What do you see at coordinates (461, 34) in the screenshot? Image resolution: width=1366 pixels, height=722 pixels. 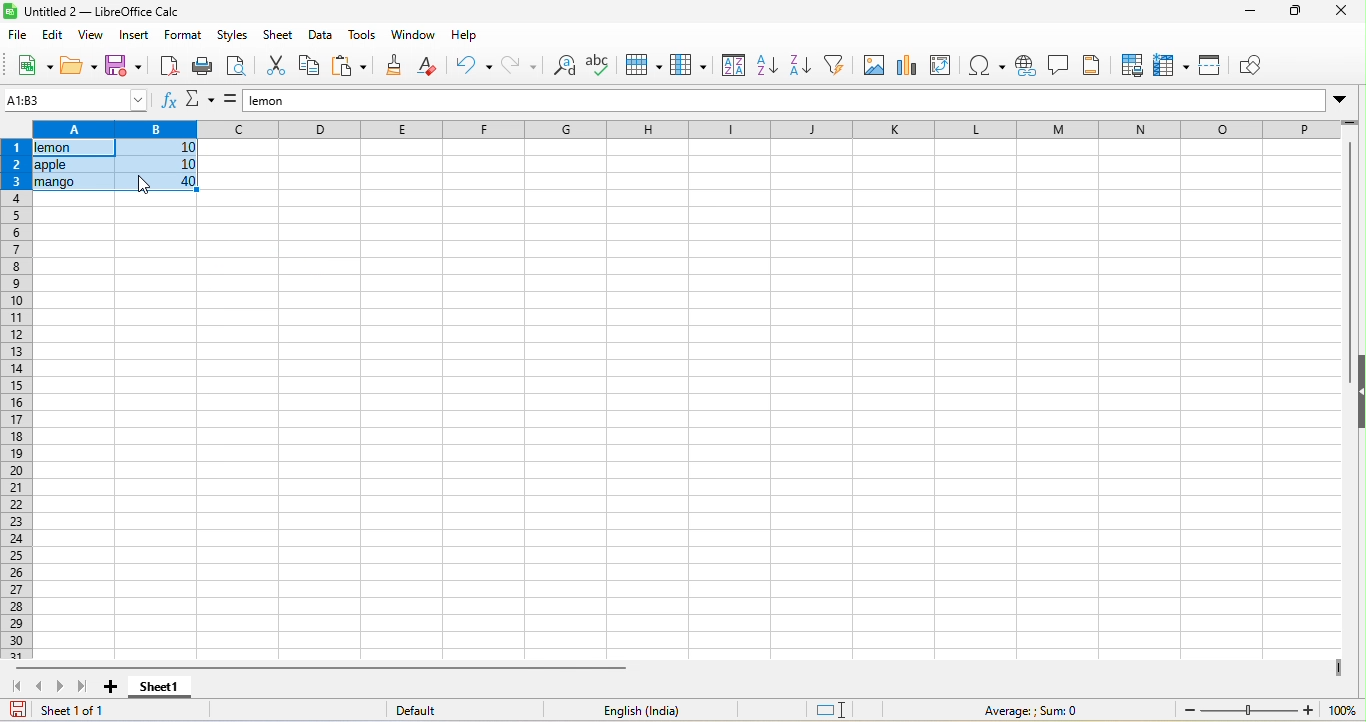 I see `help` at bounding box center [461, 34].